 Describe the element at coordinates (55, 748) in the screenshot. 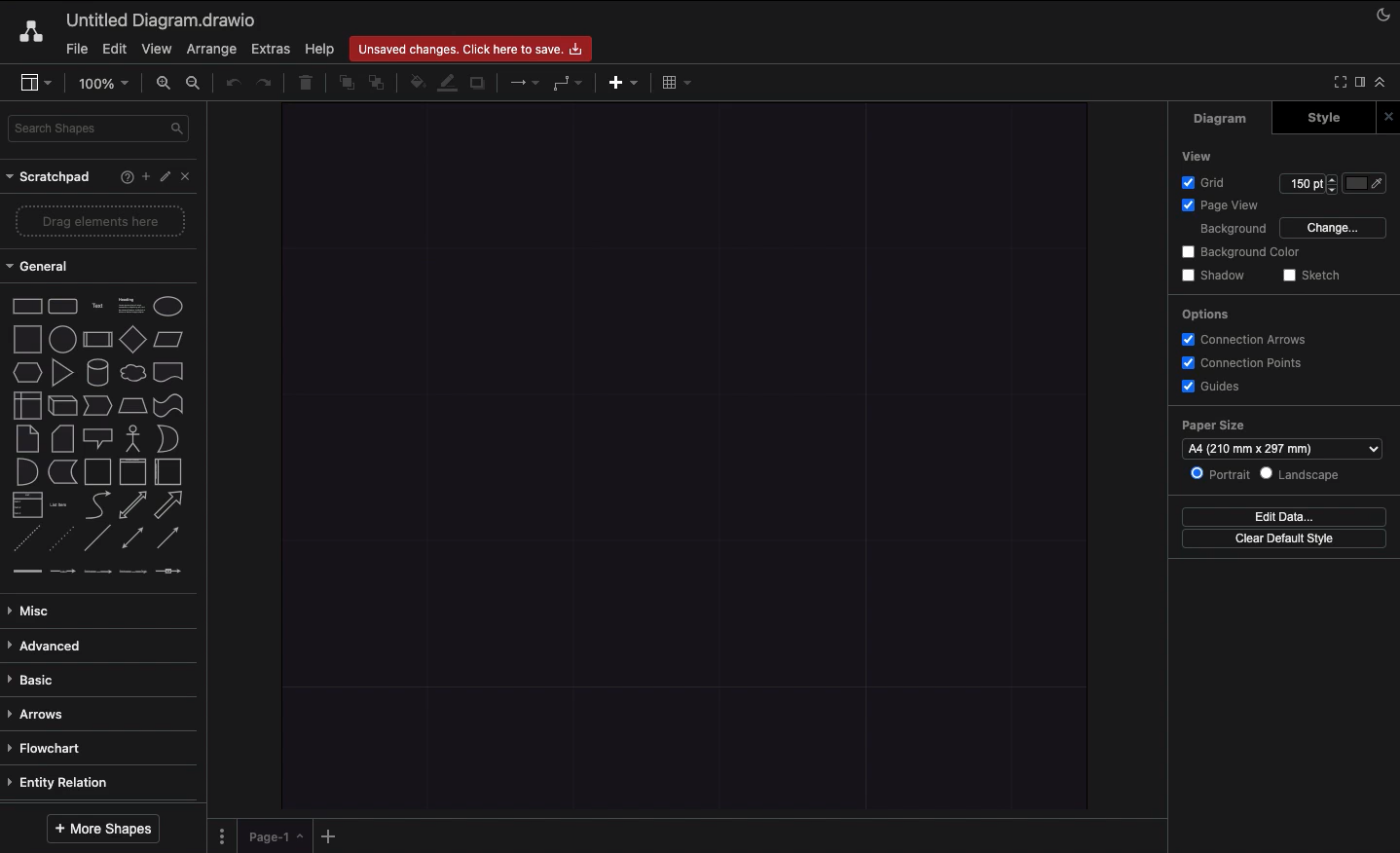

I see `Flowchart` at that location.